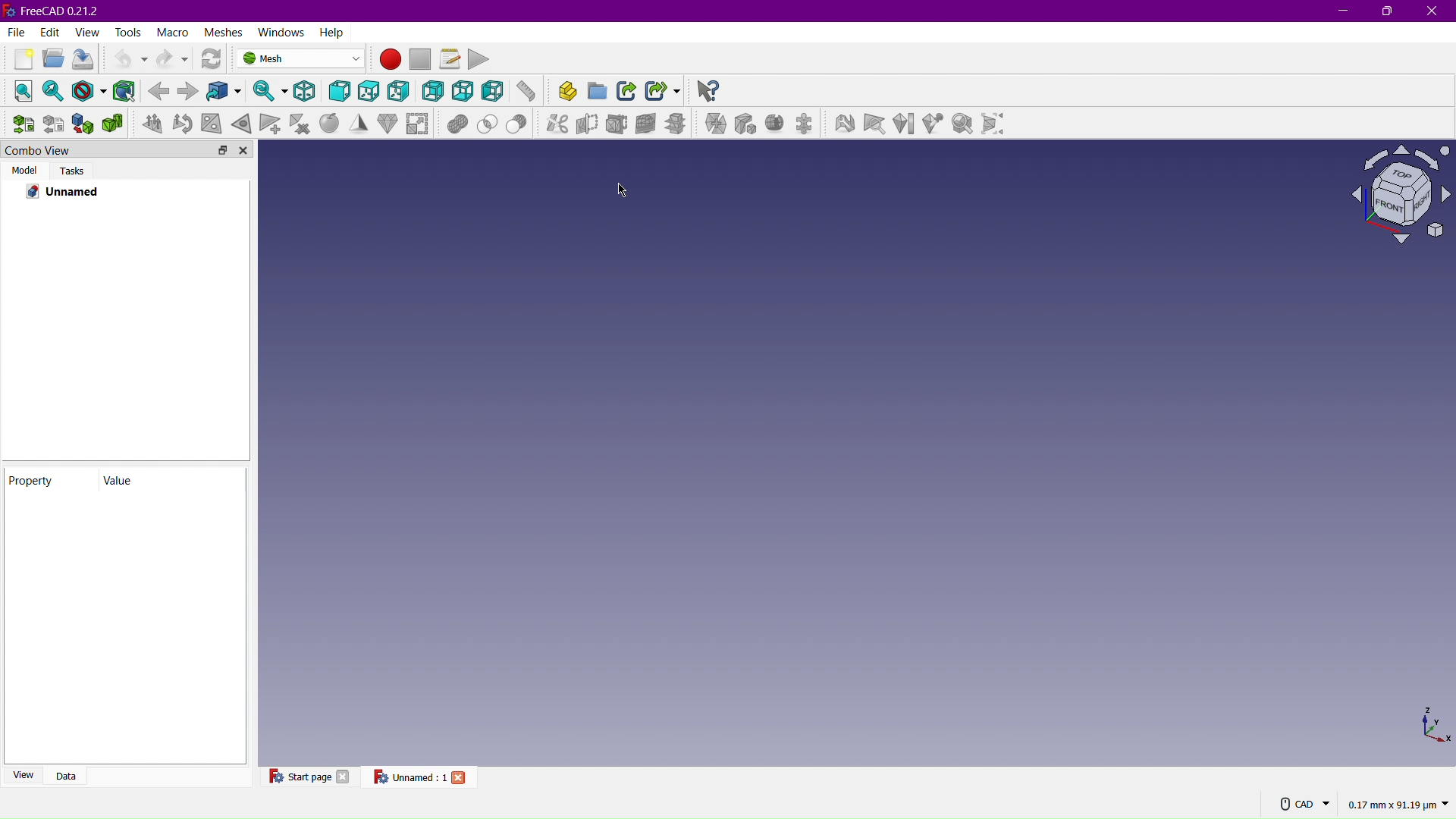  What do you see at coordinates (344, 776) in the screenshot?
I see `close` at bounding box center [344, 776].